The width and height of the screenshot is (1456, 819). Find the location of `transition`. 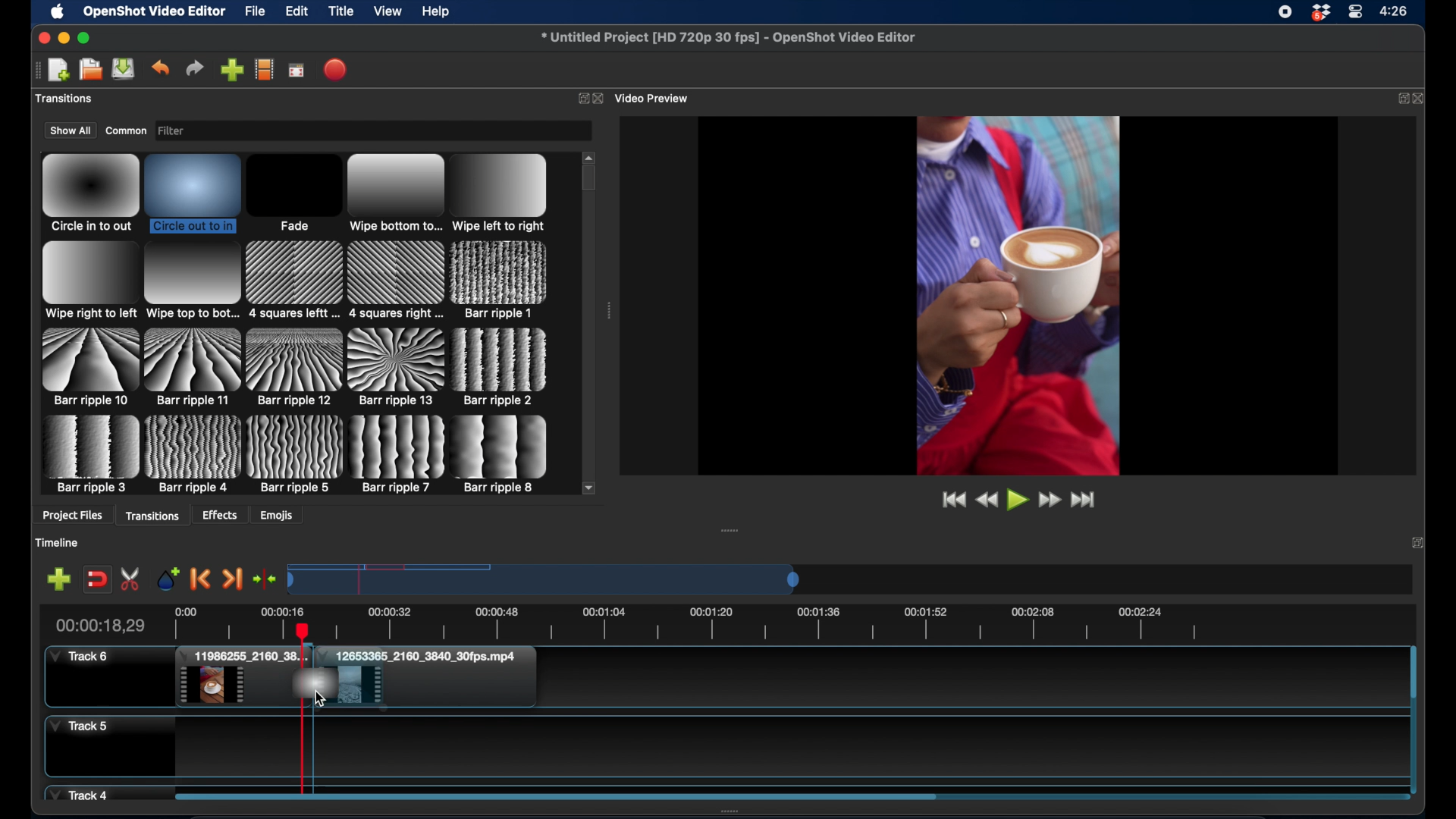

transition is located at coordinates (90, 454).